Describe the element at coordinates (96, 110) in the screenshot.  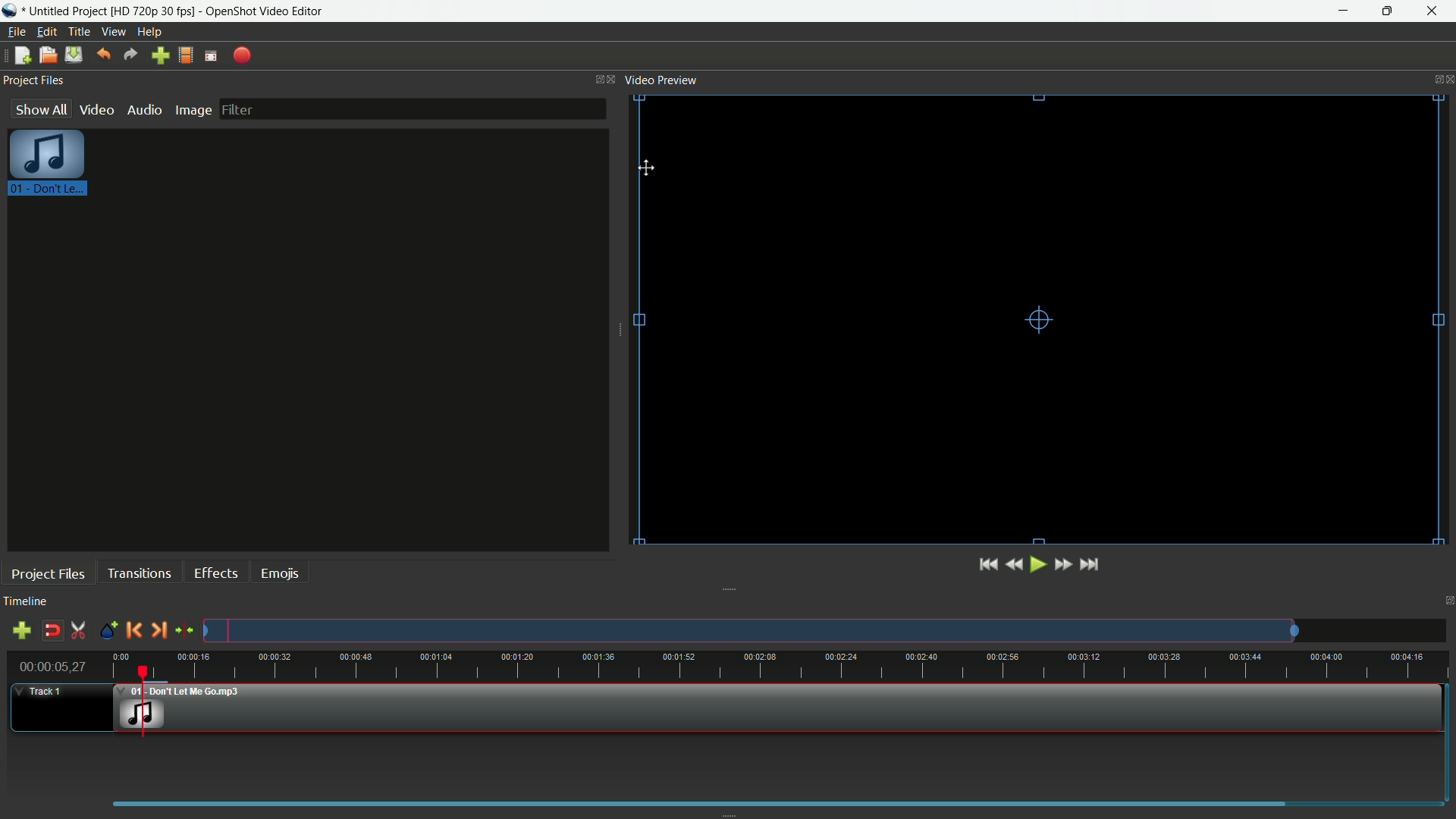
I see `video` at that location.